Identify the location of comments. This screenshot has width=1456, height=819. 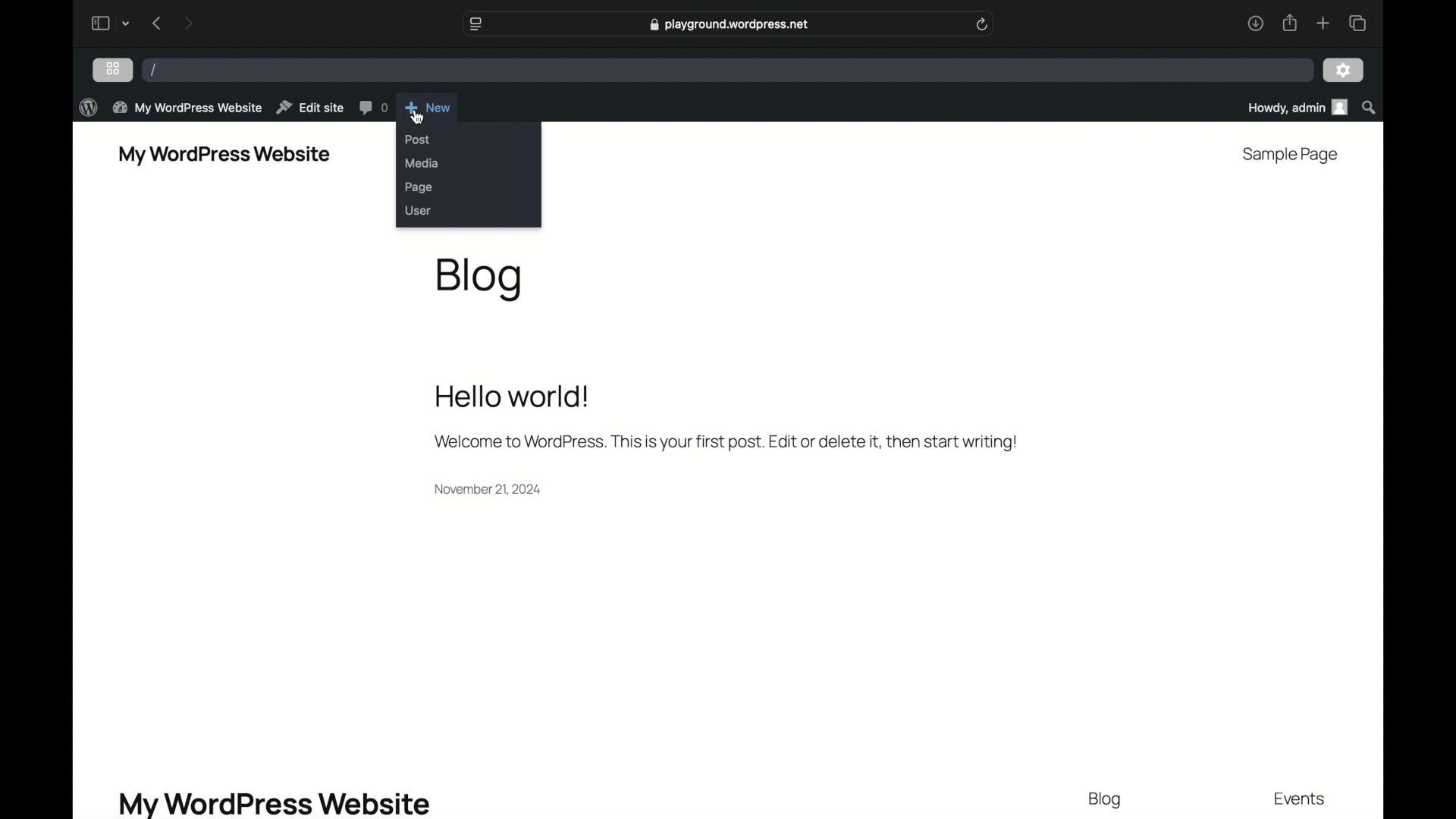
(375, 108).